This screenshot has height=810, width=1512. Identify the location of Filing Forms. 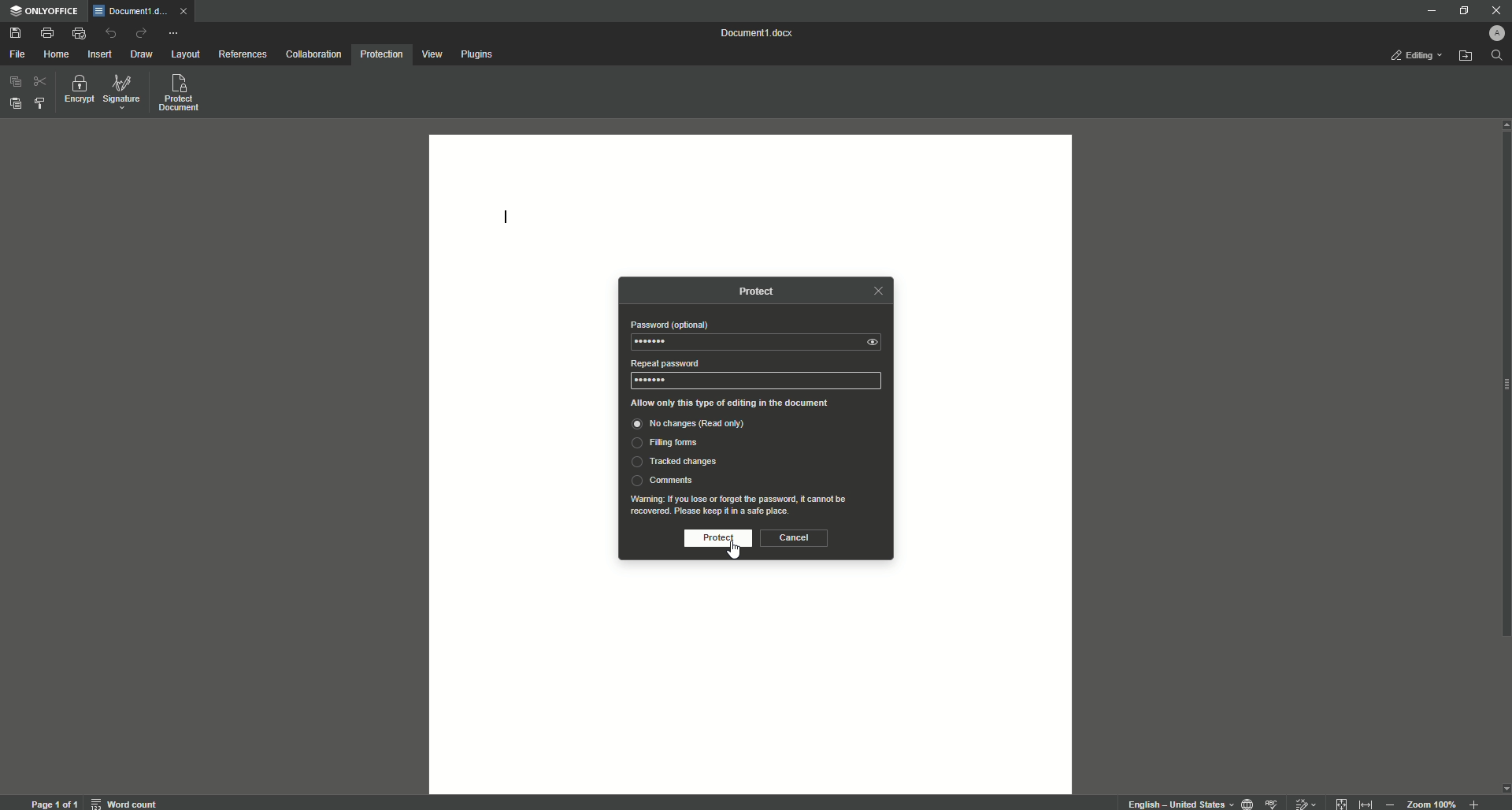
(669, 444).